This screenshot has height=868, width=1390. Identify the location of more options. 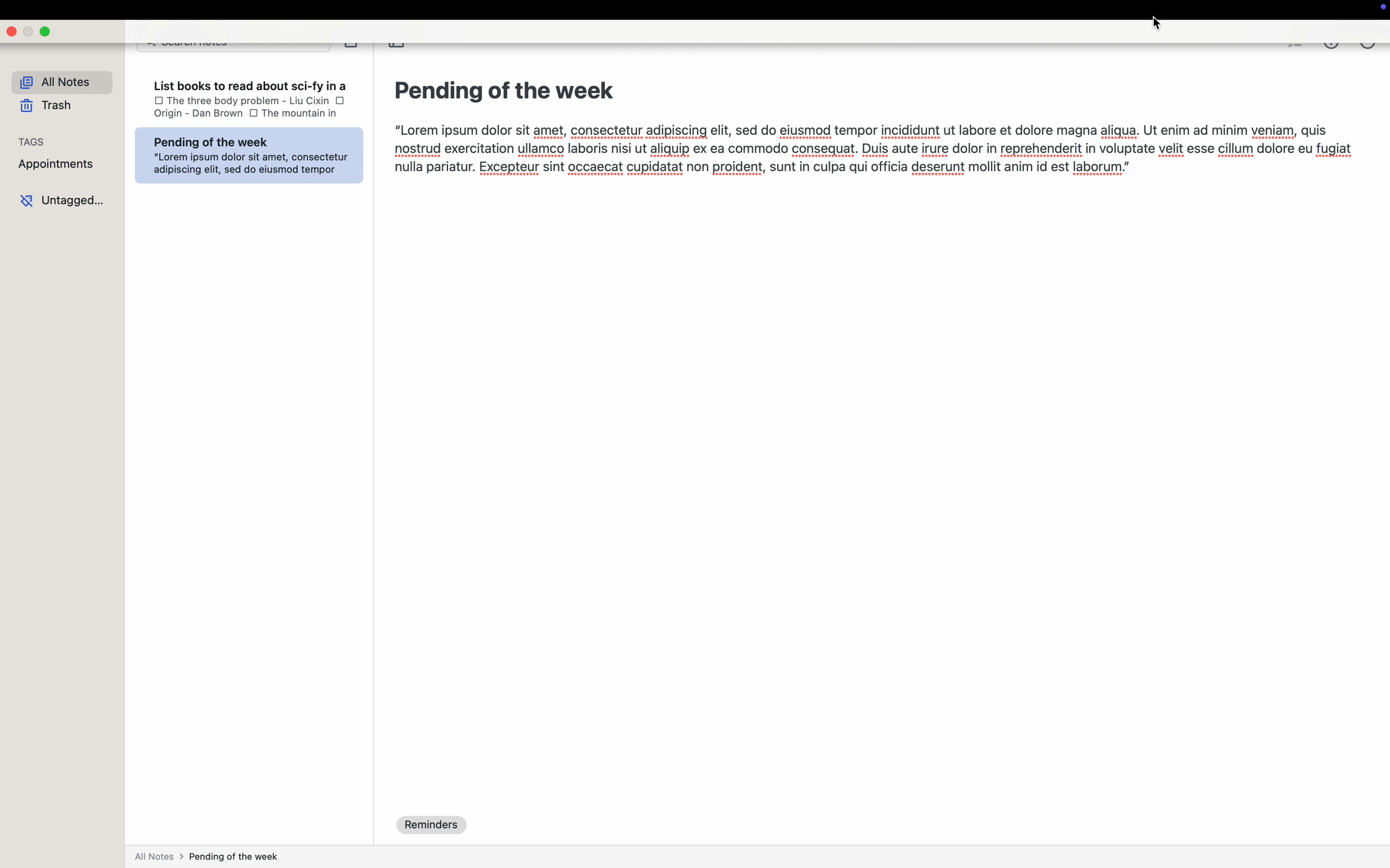
(1368, 48).